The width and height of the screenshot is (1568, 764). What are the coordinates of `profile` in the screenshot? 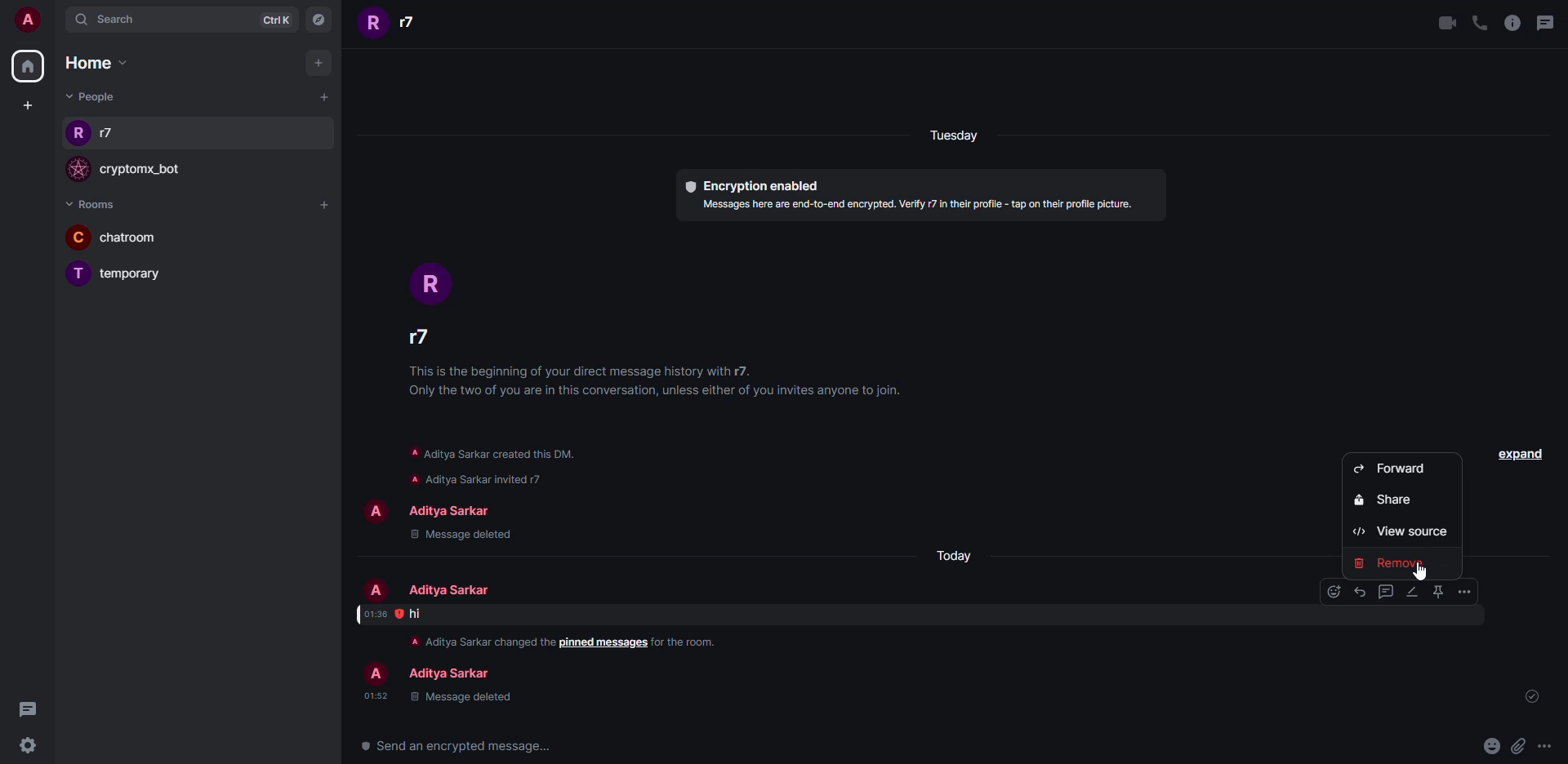 It's located at (431, 284).